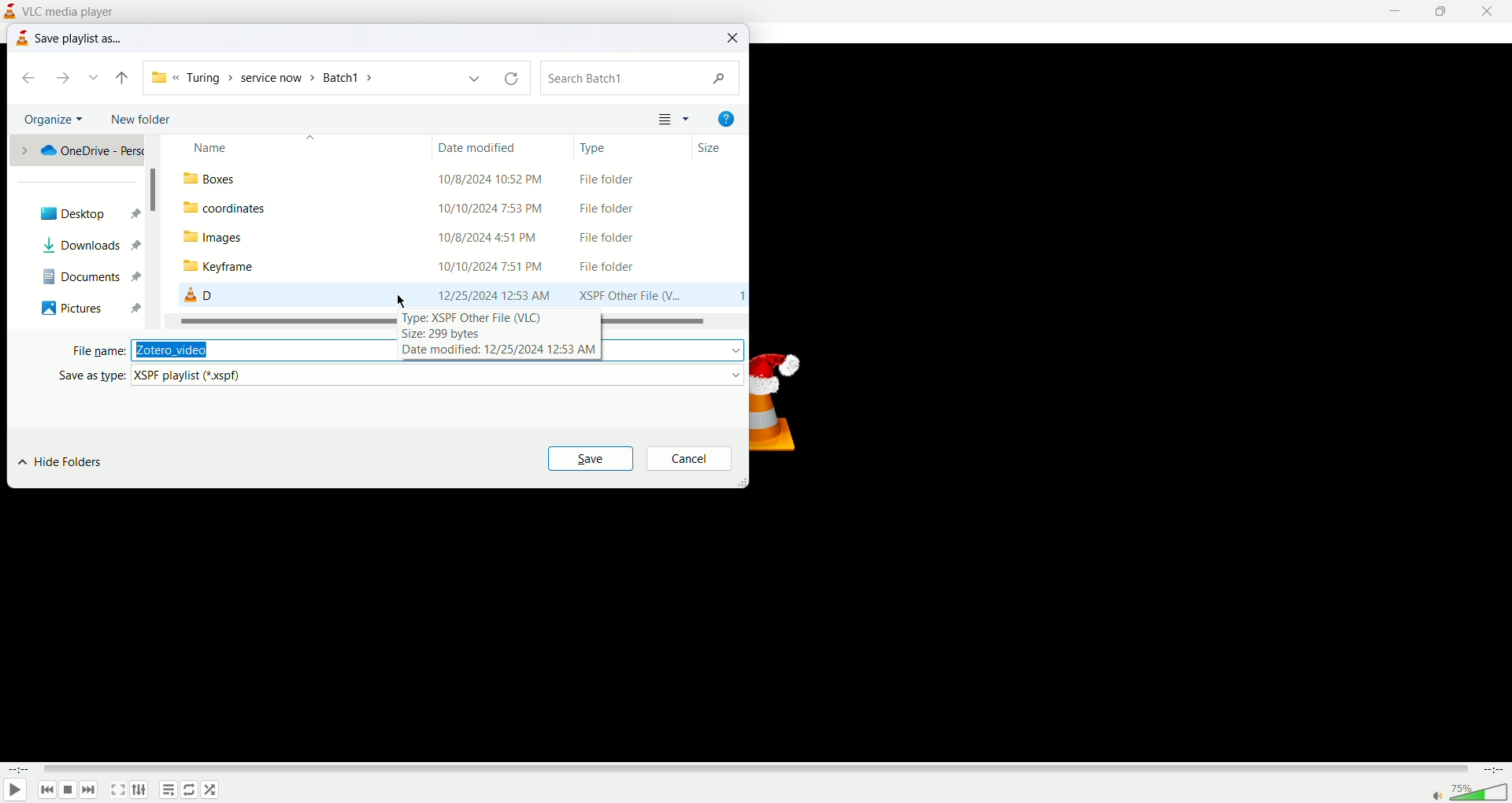 This screenshot has width=1512, height=803. What do you see at coordinates (516, 336) in the screenshot?
I see `file meta data` at bounding box center [516, 336].